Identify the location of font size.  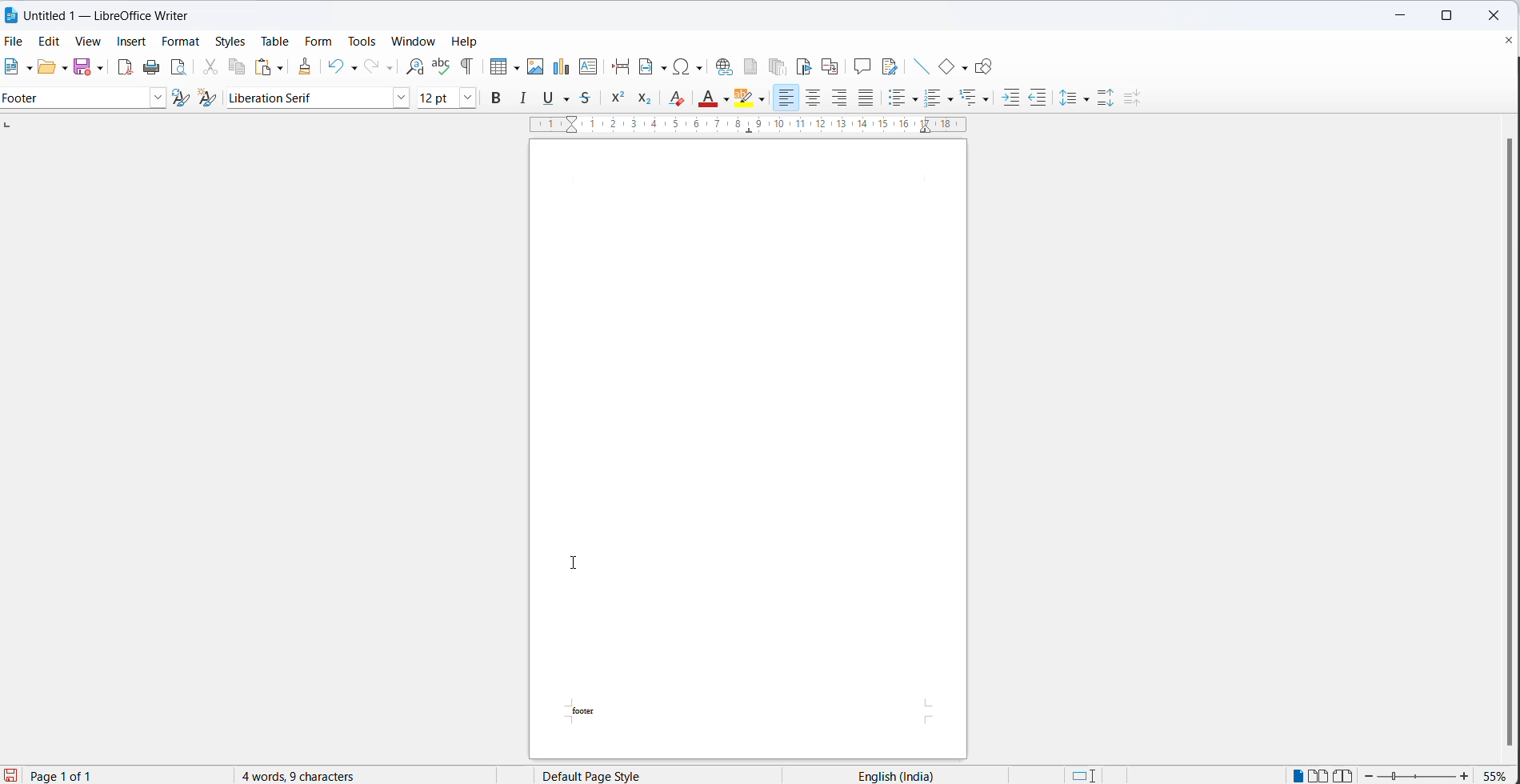
(437, 98).